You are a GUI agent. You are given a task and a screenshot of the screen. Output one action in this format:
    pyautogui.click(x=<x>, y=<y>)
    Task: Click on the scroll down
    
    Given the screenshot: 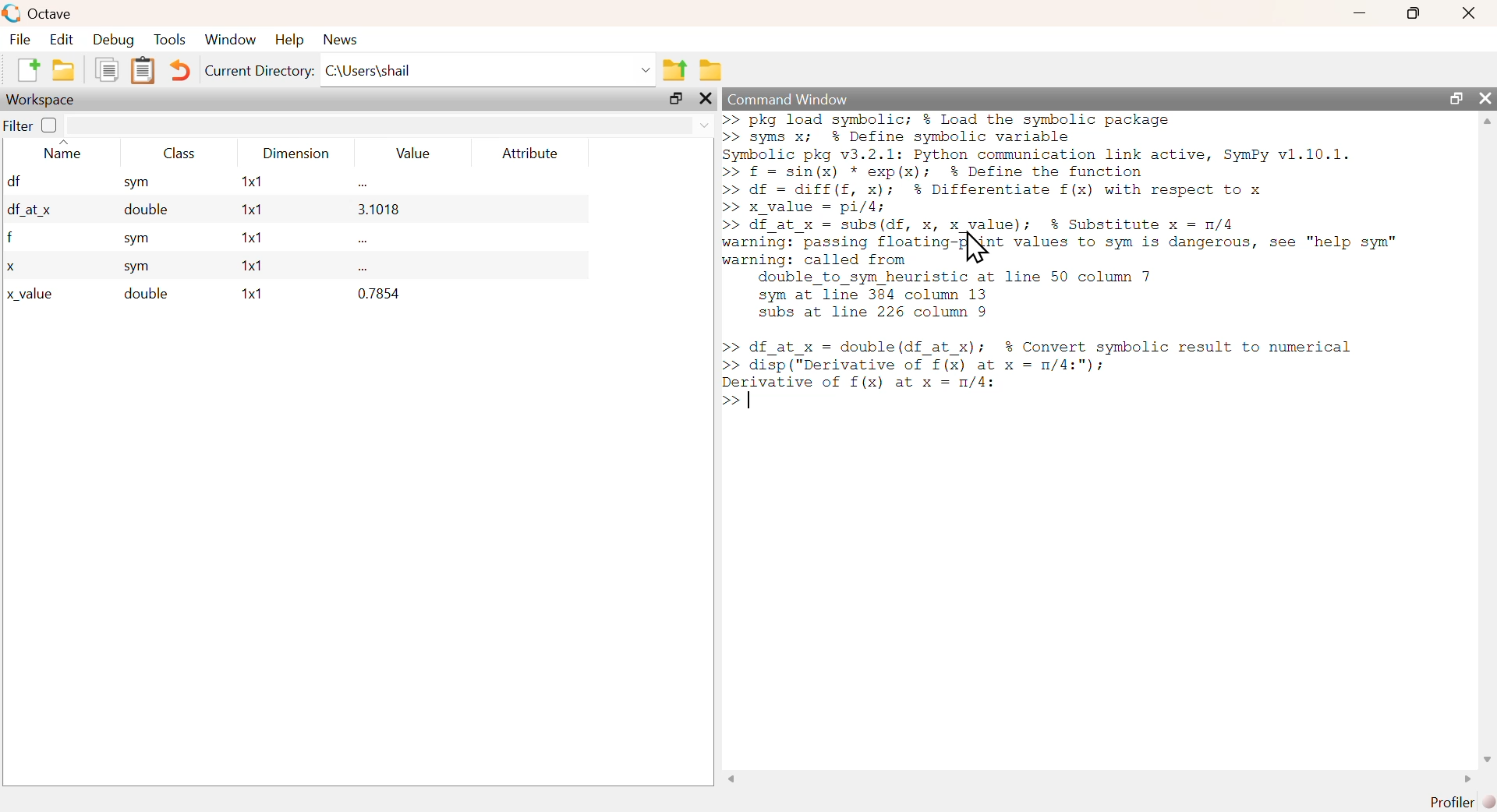 What is the action you would take?
    pyautogui.click(x=1487, y=759)
    